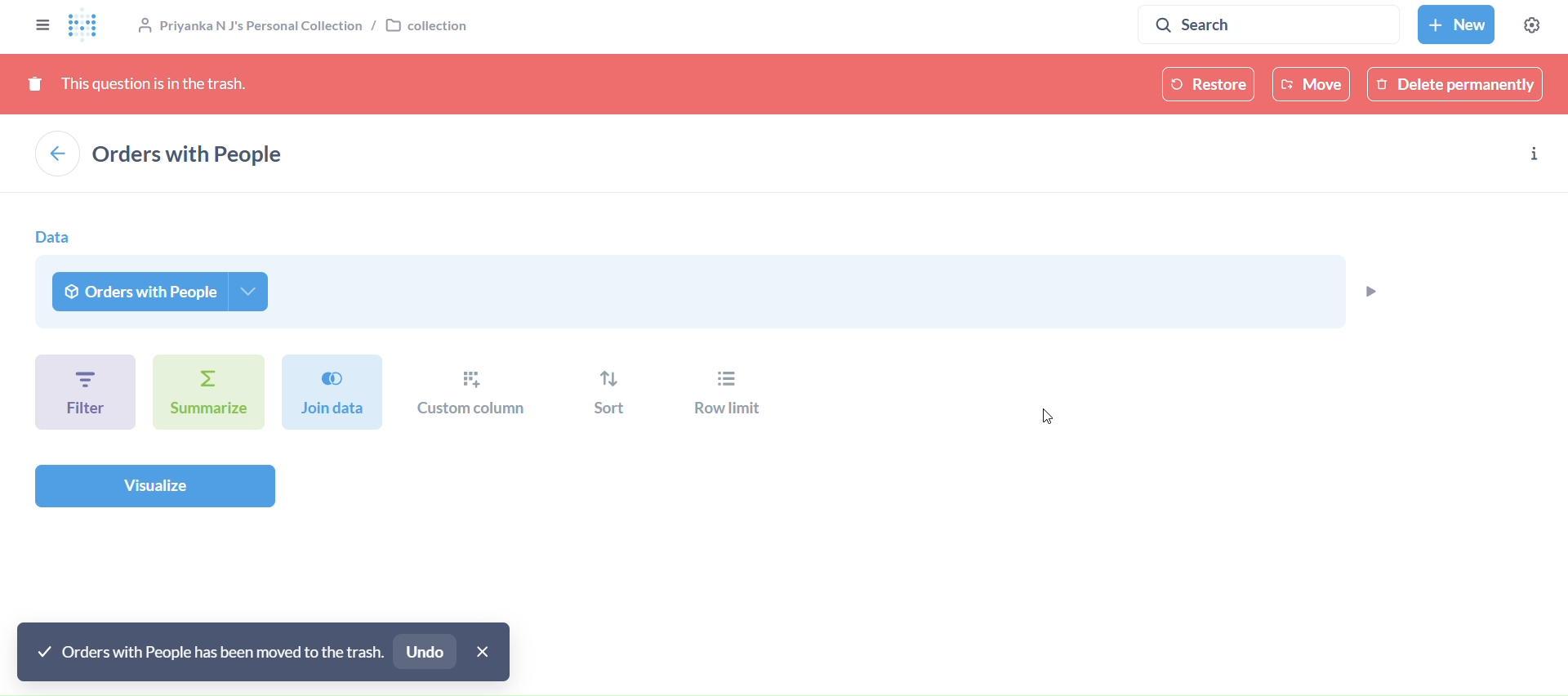 This screenshot has height=696, width=1568. What do you see at coordinates (1452, 25) in the screenshot?
I see `New` at bounding box center [1452, 25].